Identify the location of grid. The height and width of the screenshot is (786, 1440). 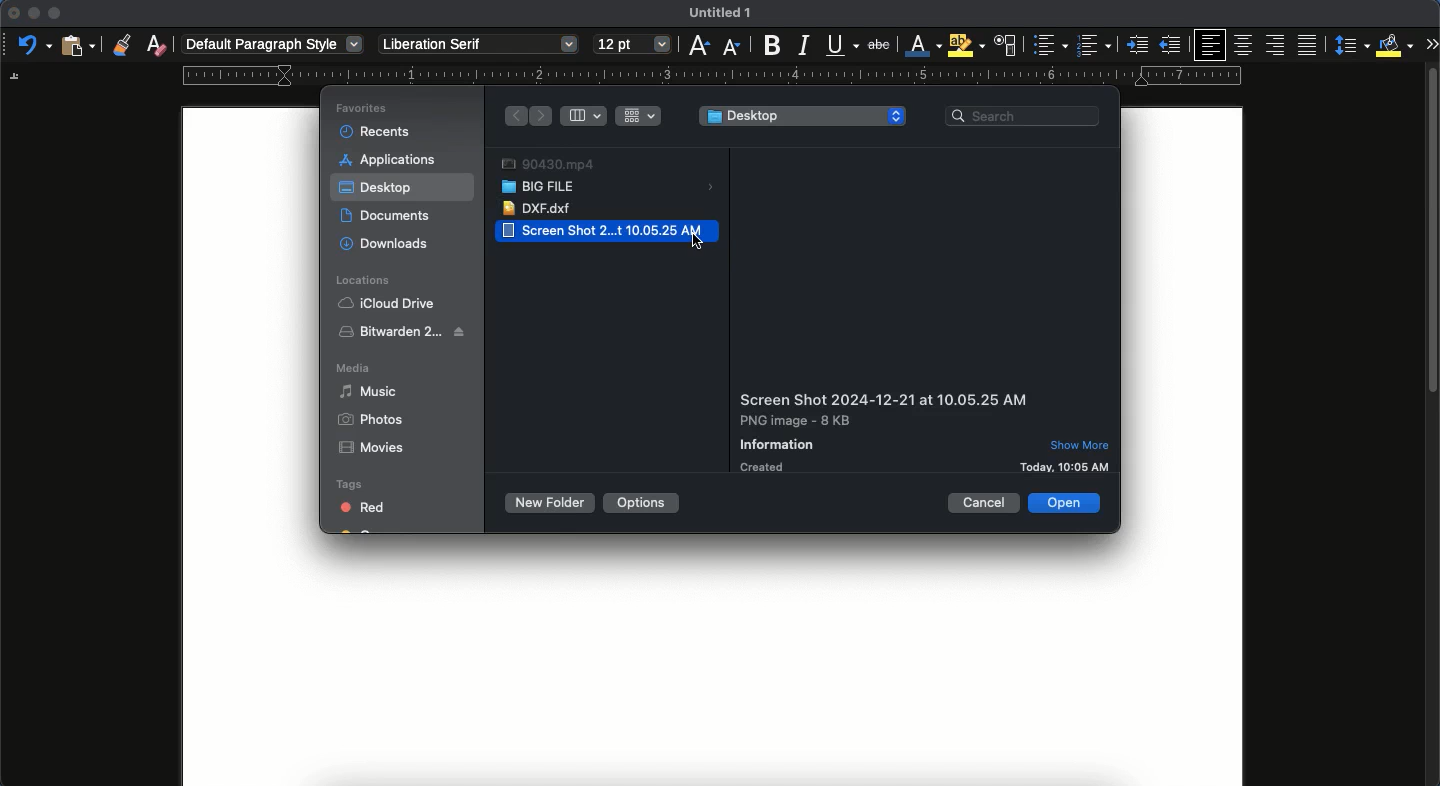
(639, 116).